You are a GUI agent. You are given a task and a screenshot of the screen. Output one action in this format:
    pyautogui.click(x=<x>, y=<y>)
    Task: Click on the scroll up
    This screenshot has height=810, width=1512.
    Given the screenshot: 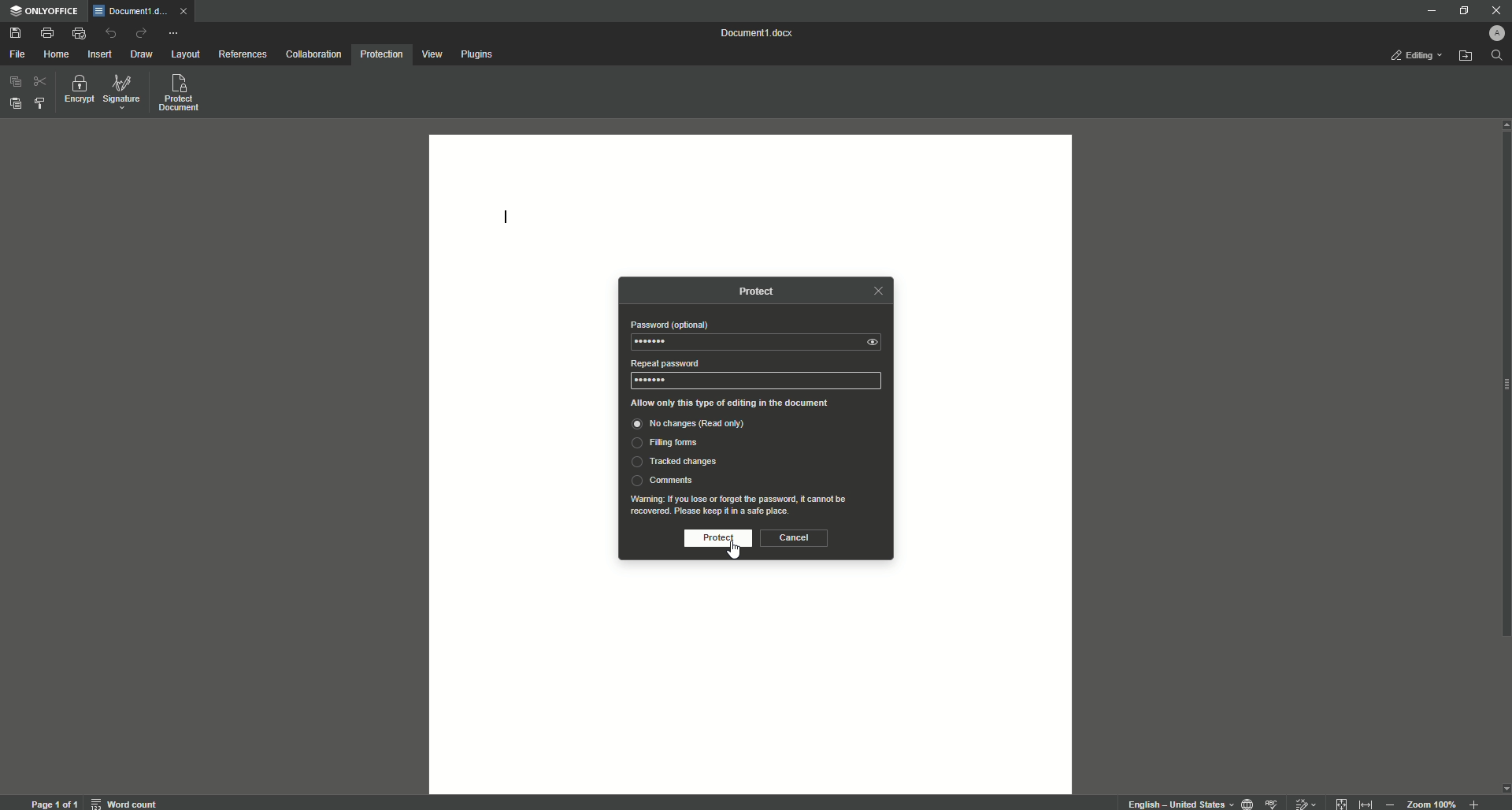 What is the action you would take?
    pyautogui.click(x=1503, y=124)
    